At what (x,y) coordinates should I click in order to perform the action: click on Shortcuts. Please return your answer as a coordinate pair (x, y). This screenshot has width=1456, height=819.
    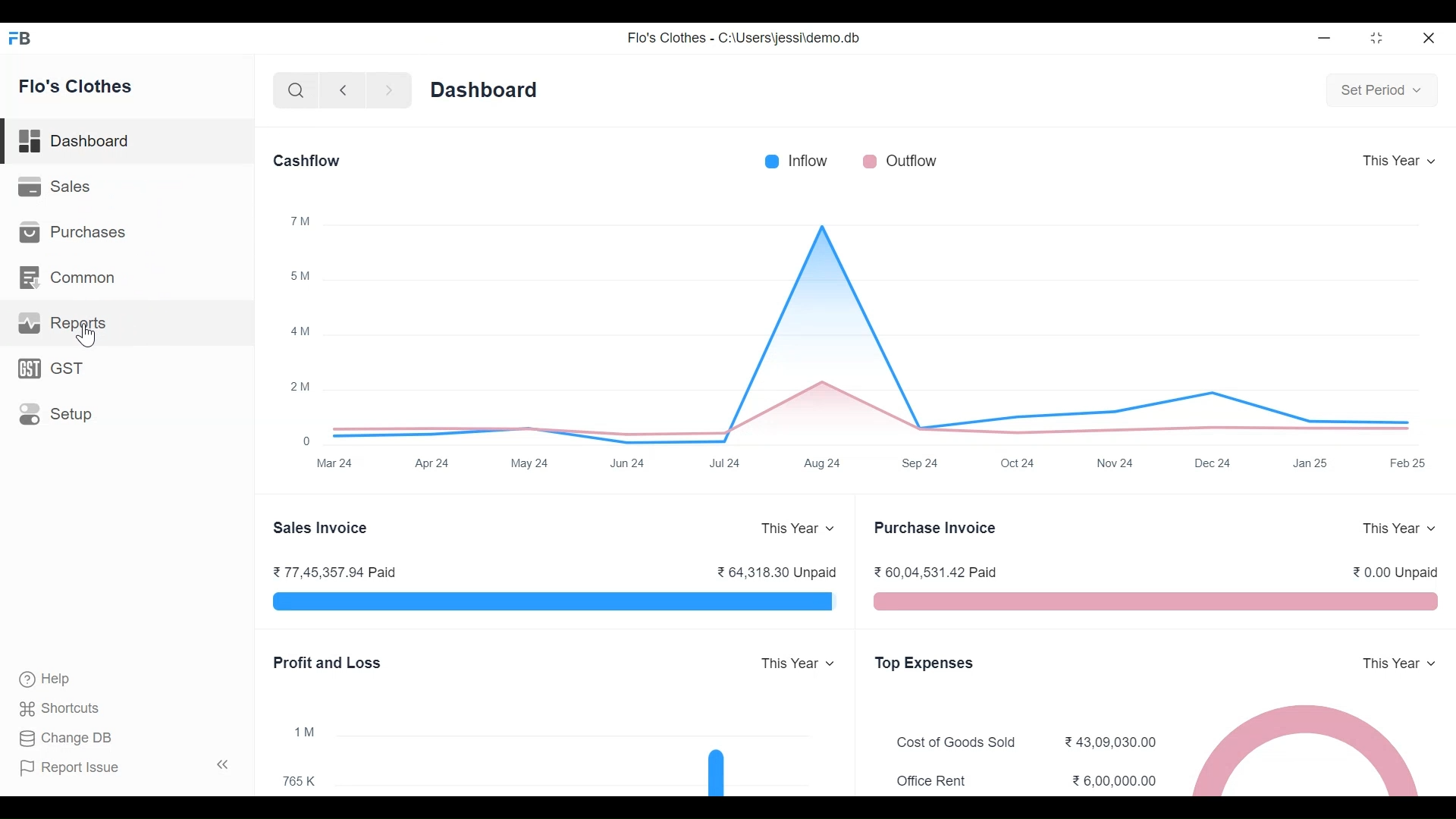
    Looking at the image, I should click on (61, 708).